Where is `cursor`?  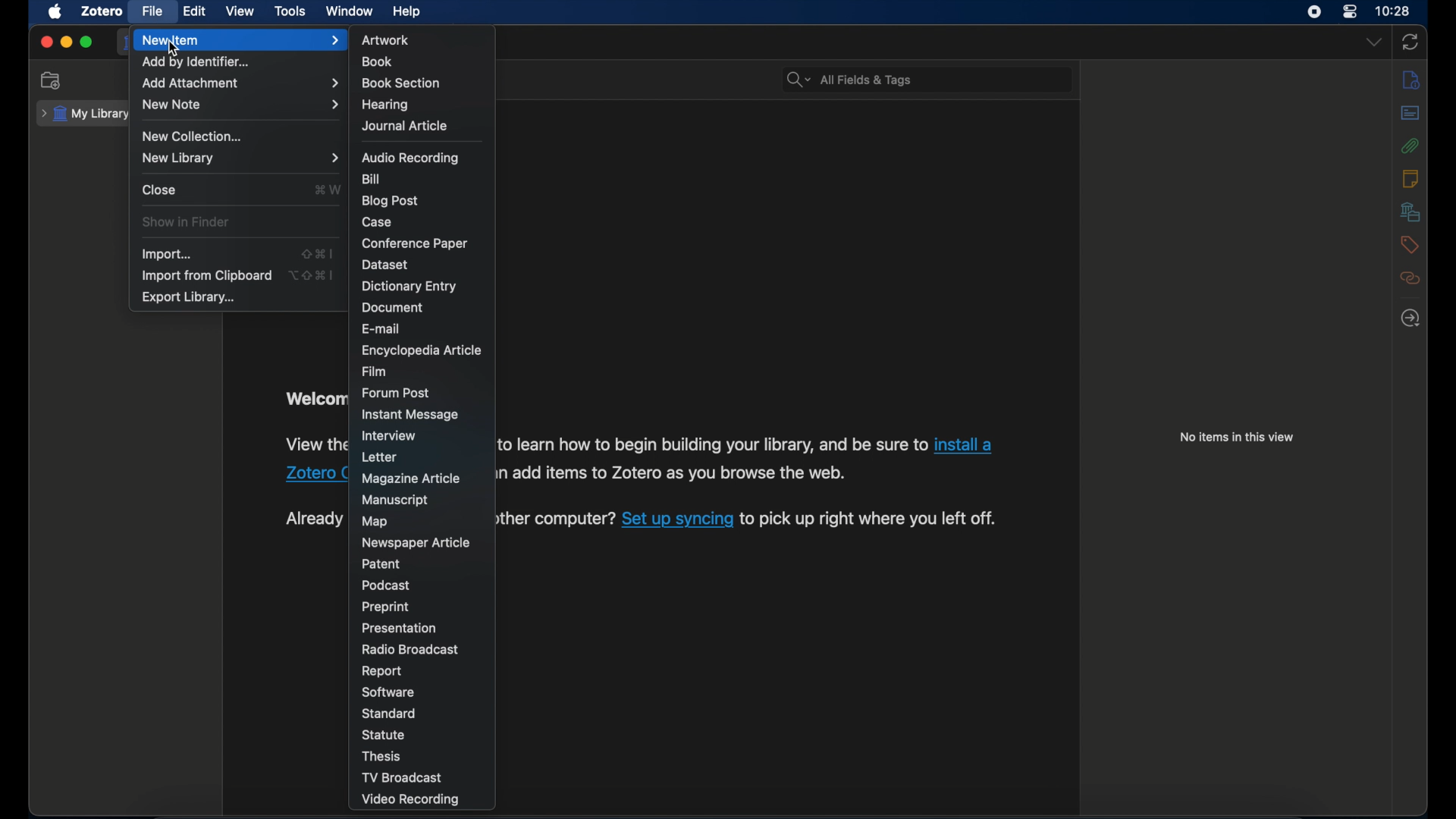 cursor is located at coordinates (174, 49).